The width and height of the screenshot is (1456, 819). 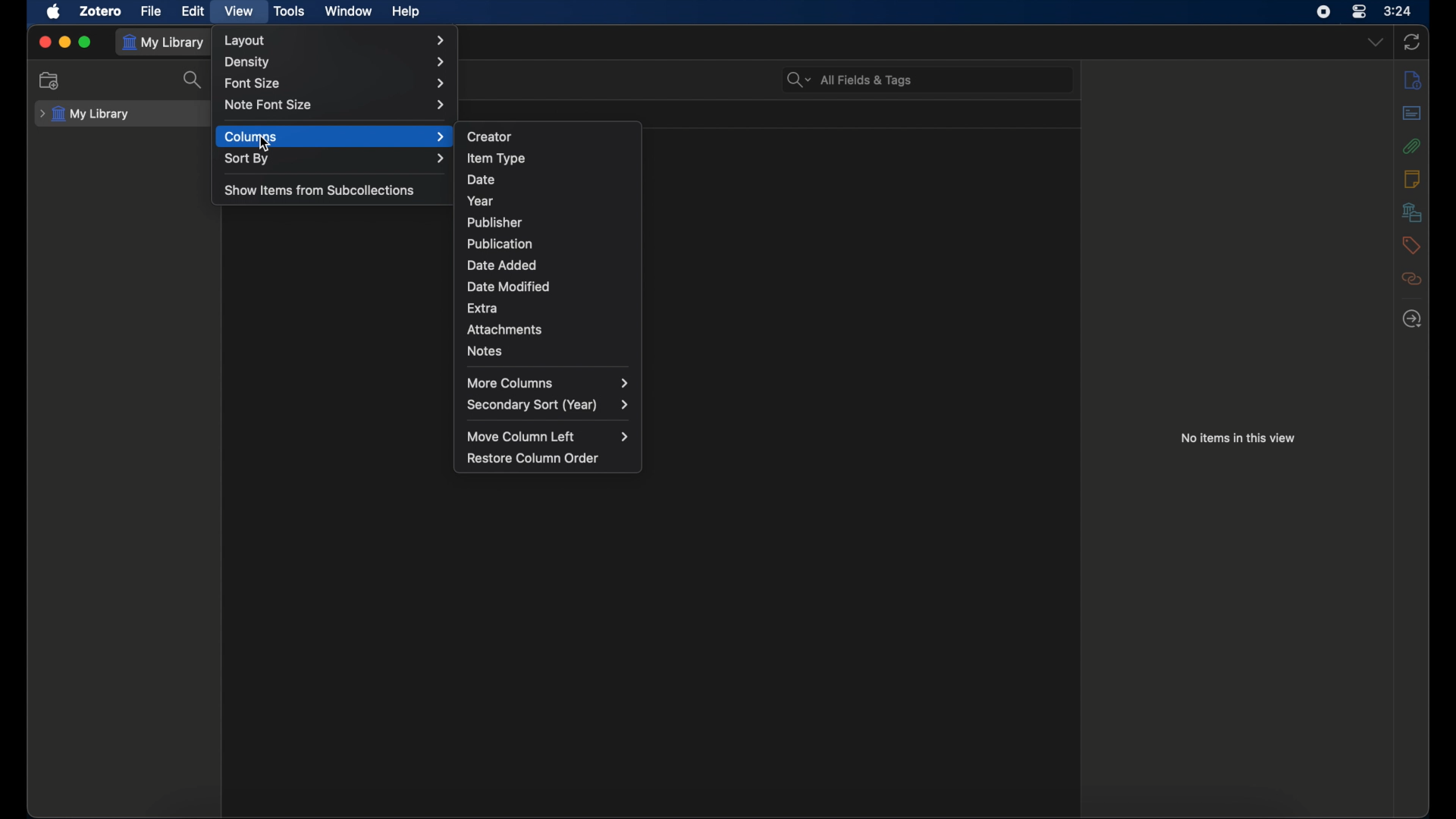 What do you see at coordinates (49, 80) in the screenshot?
I see `new collections` at bounding box center [49, 80].